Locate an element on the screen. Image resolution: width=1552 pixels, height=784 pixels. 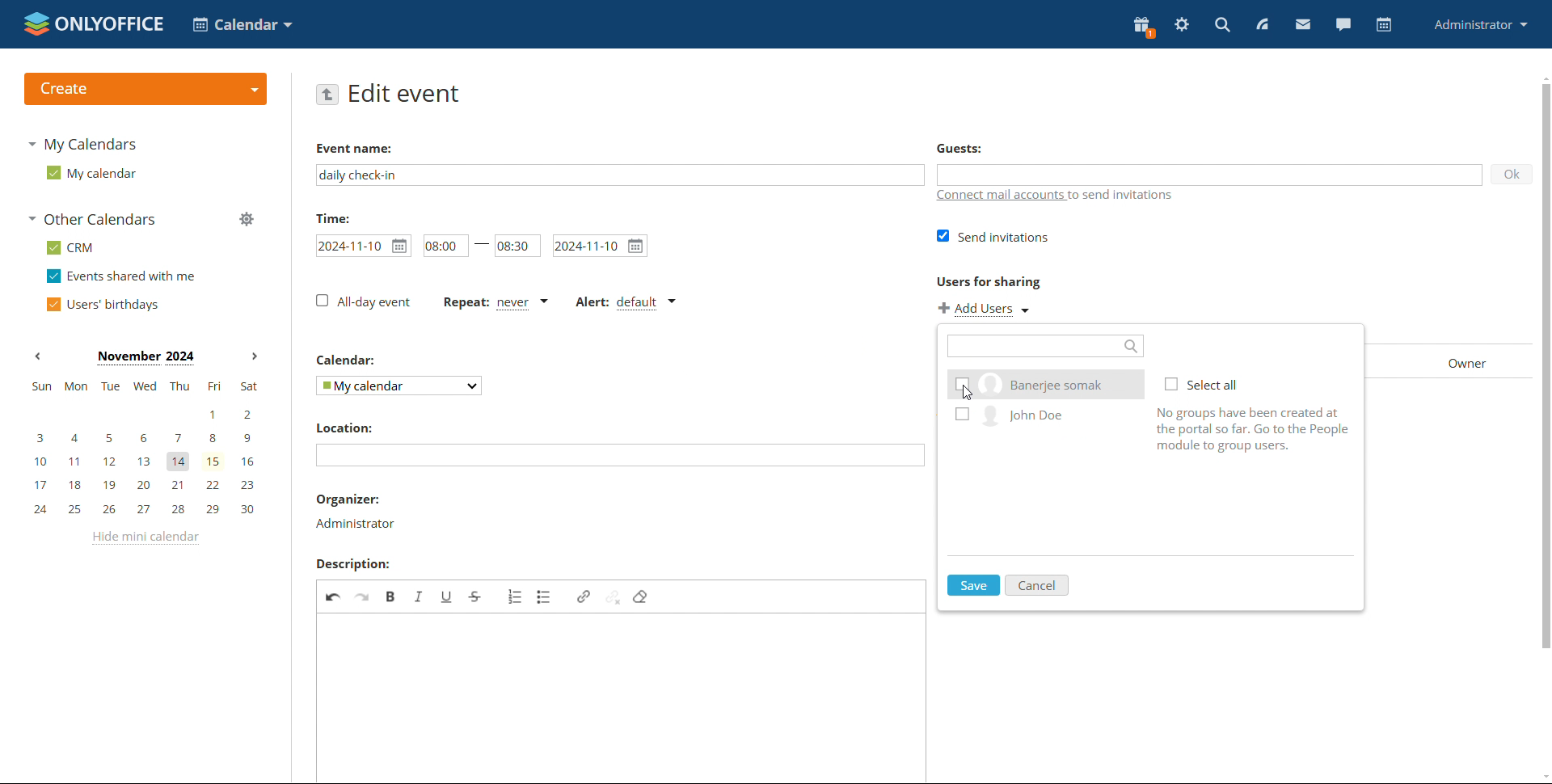
cancel is located at coordinates (1038, 585).